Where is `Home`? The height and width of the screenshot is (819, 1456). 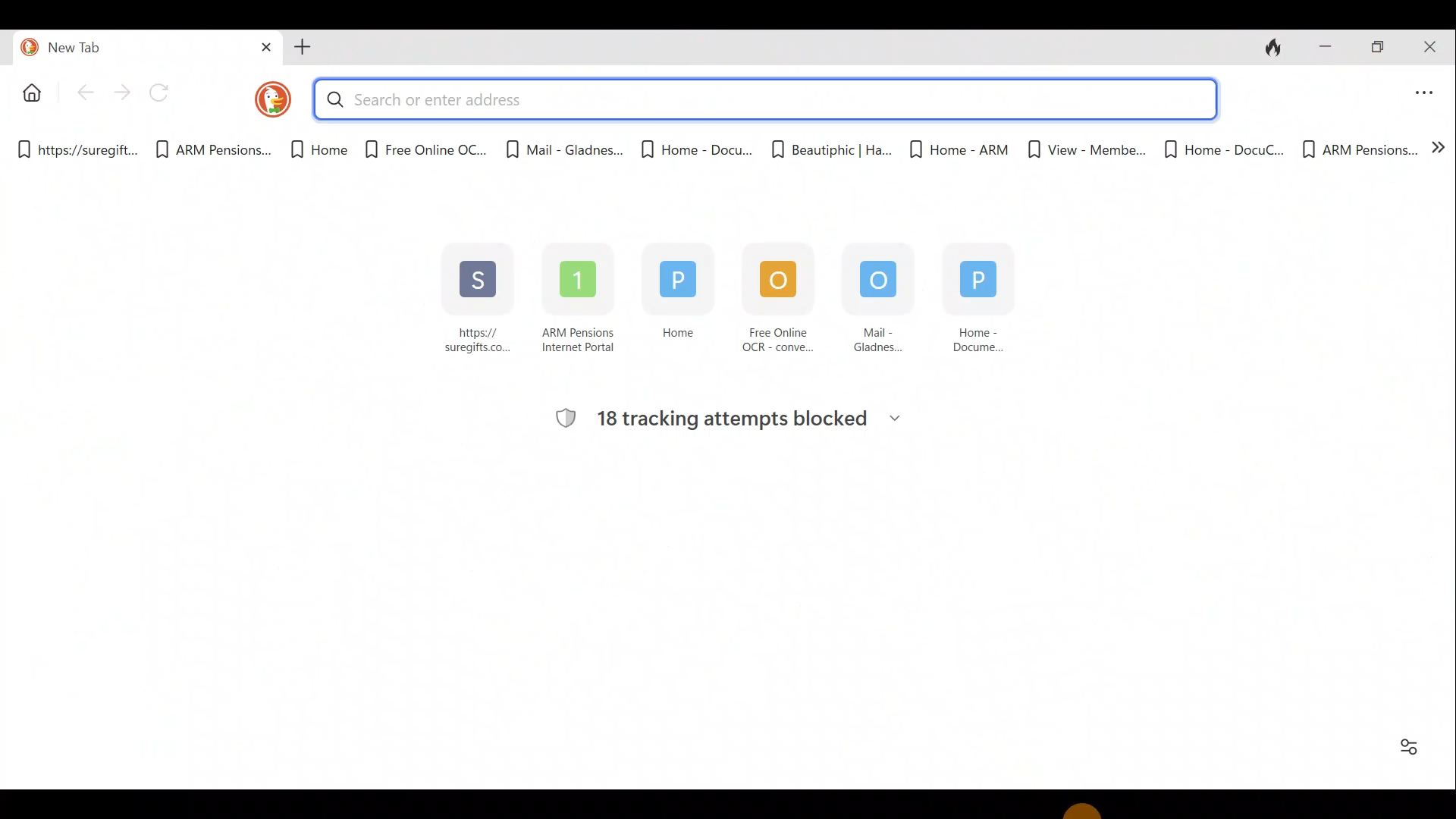
Home is located at coordinates (310, 150).